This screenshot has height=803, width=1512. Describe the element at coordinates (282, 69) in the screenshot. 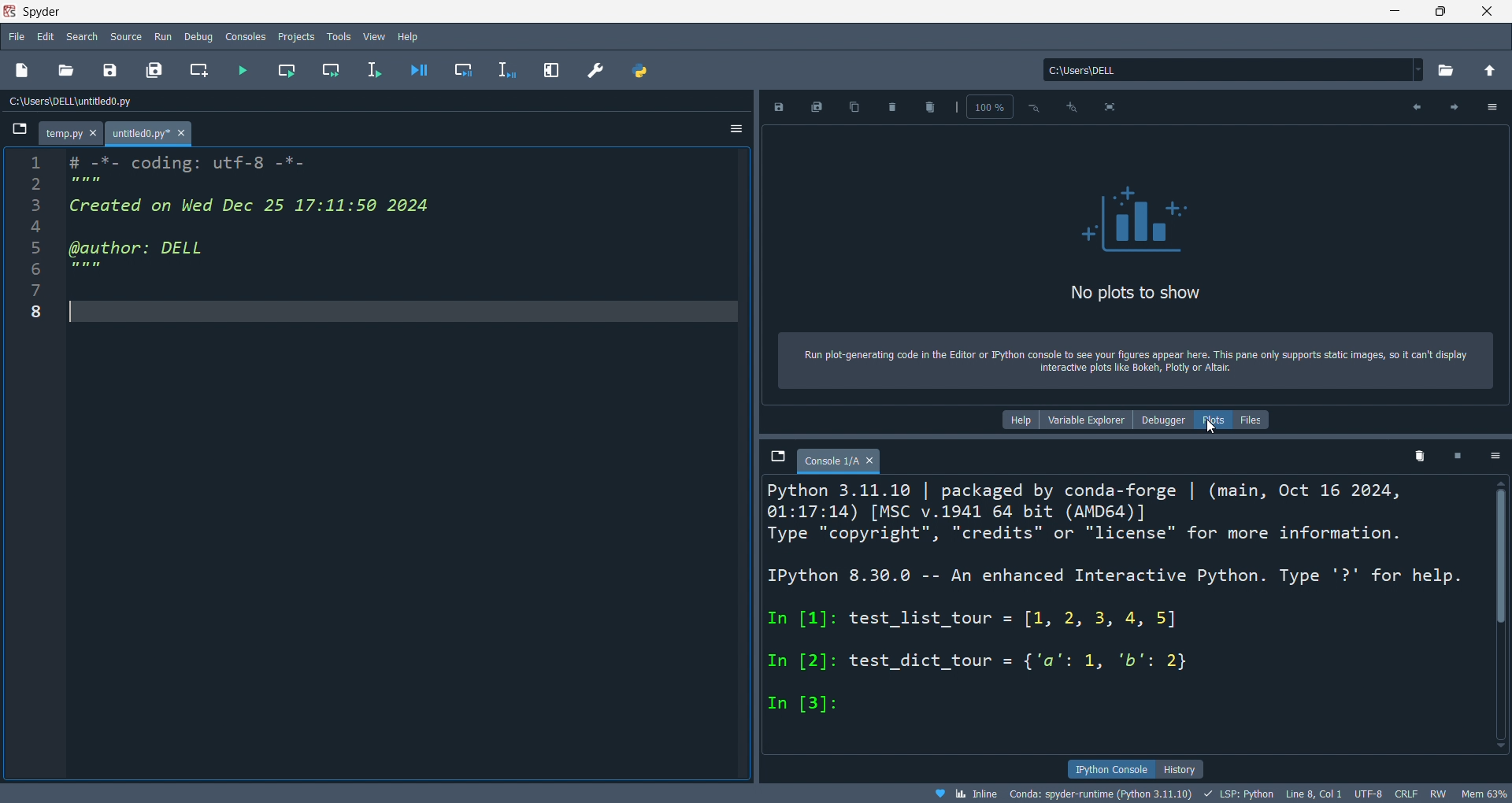

I see `run cell` at that location.